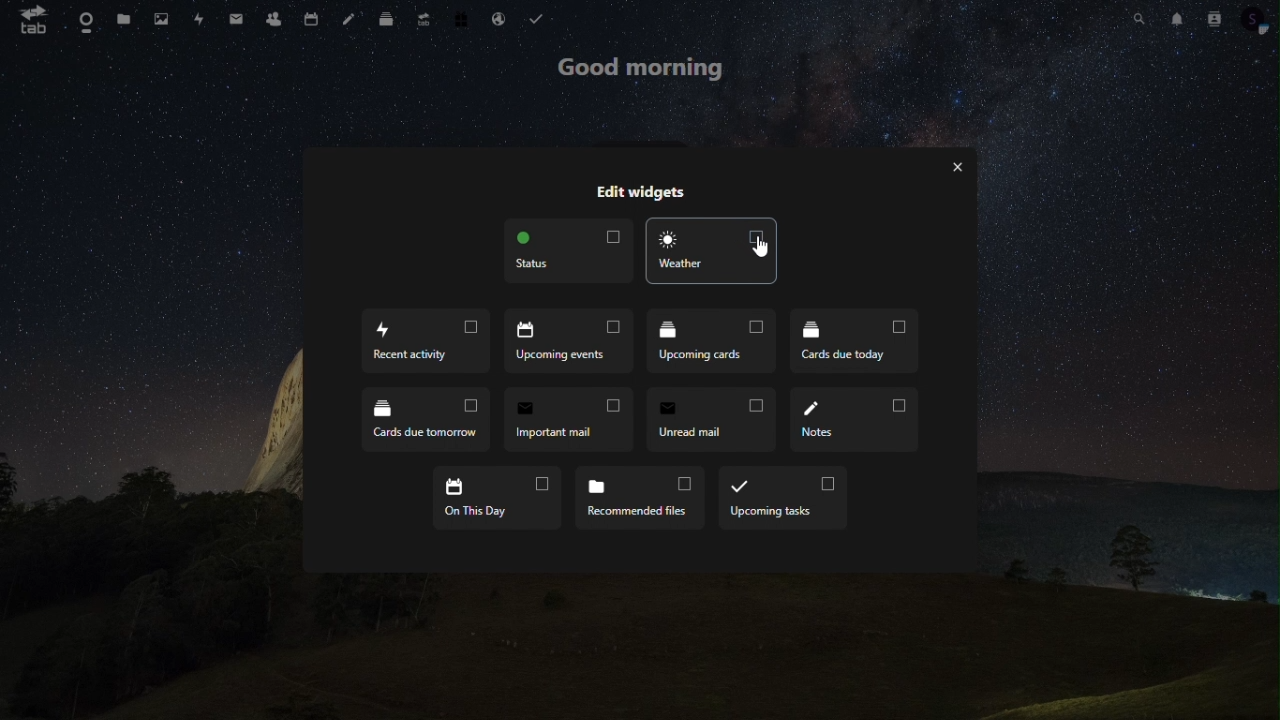 The width and height of the screenshot is (1280, 720). Describe the element at coordinates (641, 188) in the screenshot. I see `edit widgets` at that location.